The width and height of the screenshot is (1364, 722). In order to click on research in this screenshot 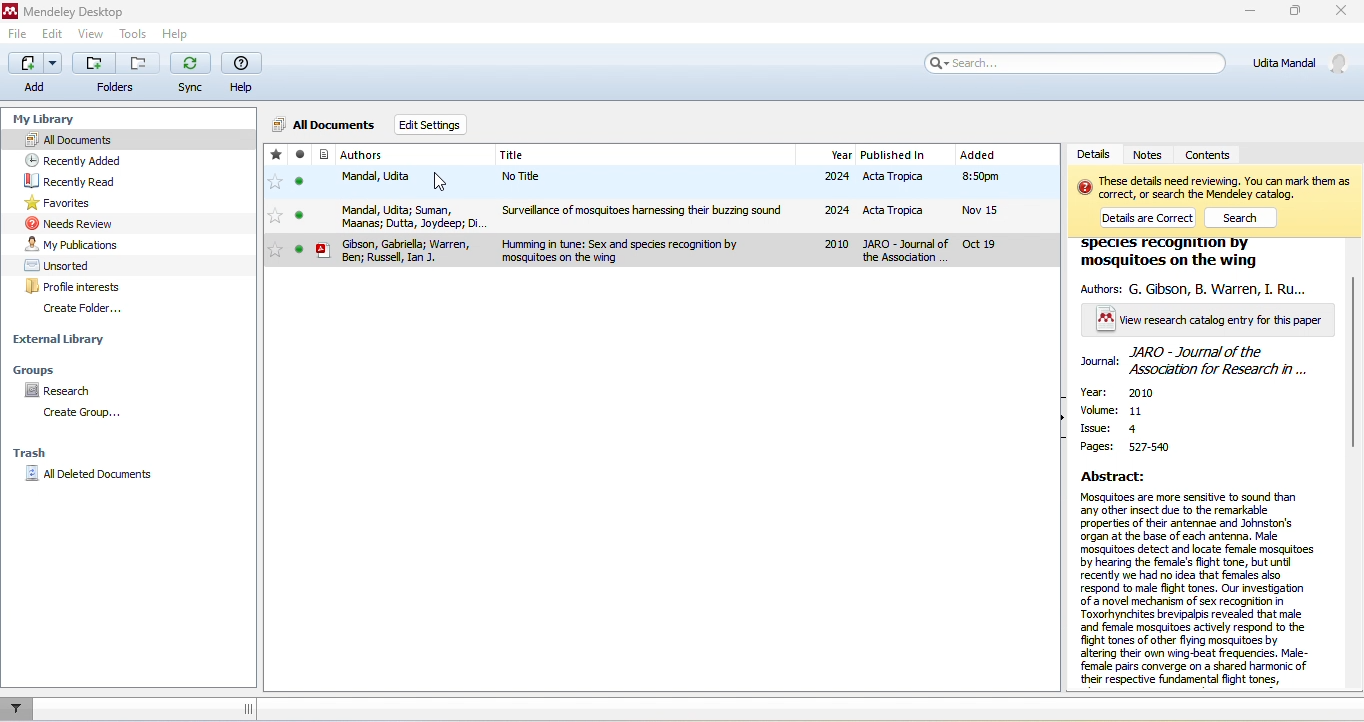, I will do `click(67, 391)`.